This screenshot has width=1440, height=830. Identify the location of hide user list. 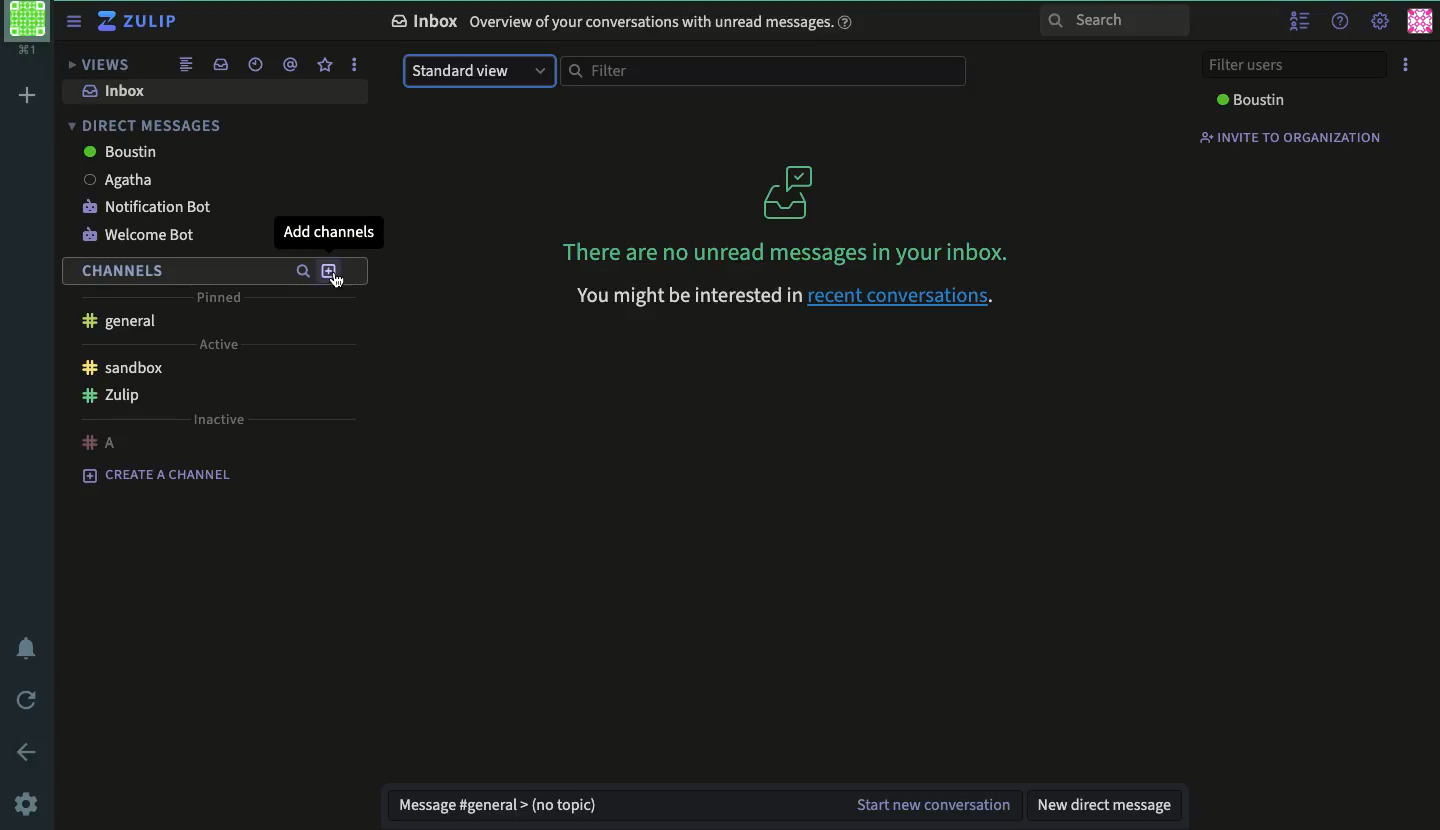
(1298, 20).